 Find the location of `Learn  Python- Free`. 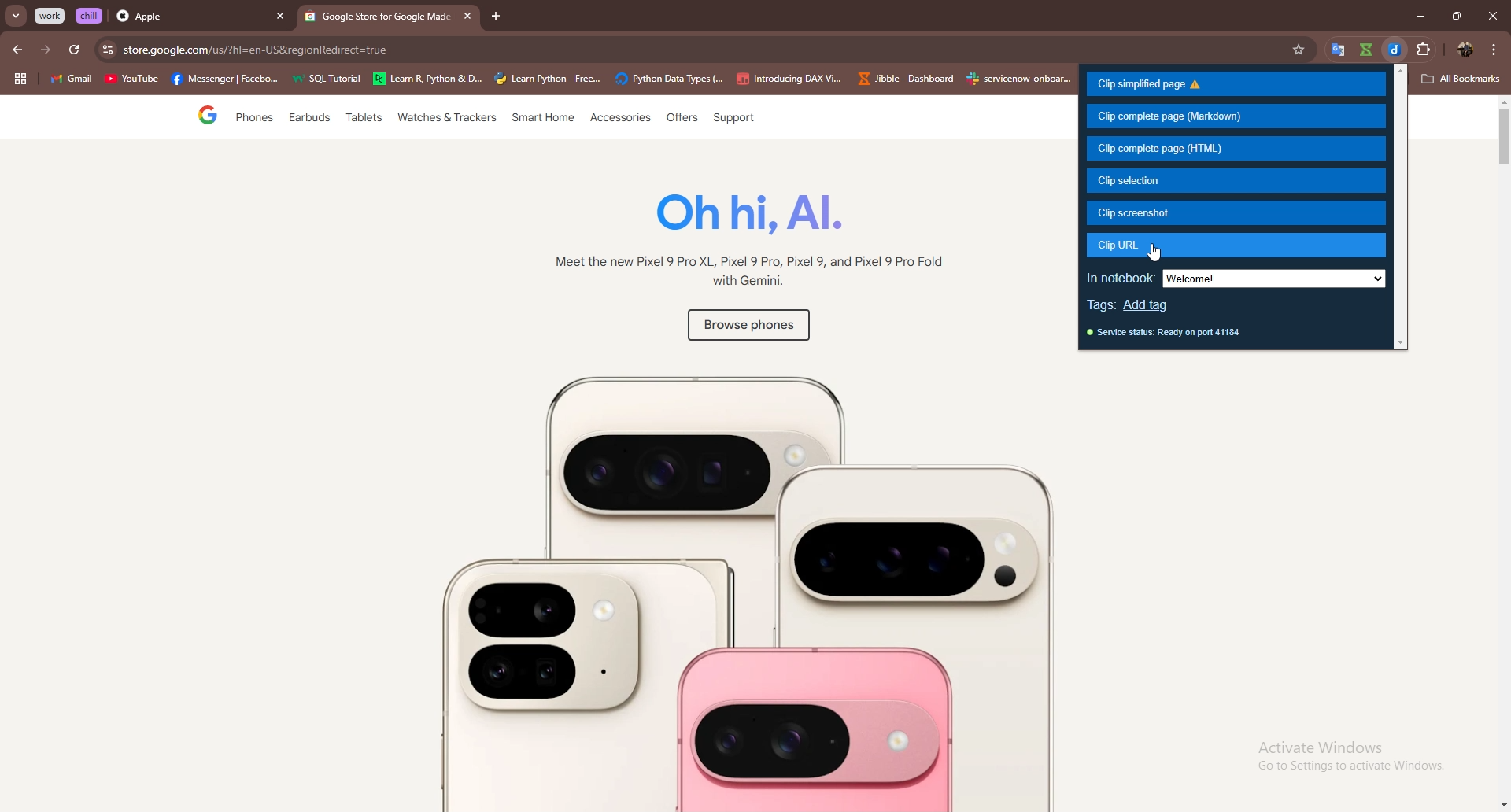

Learn  Python- Free is located at coordinates (549, 79).